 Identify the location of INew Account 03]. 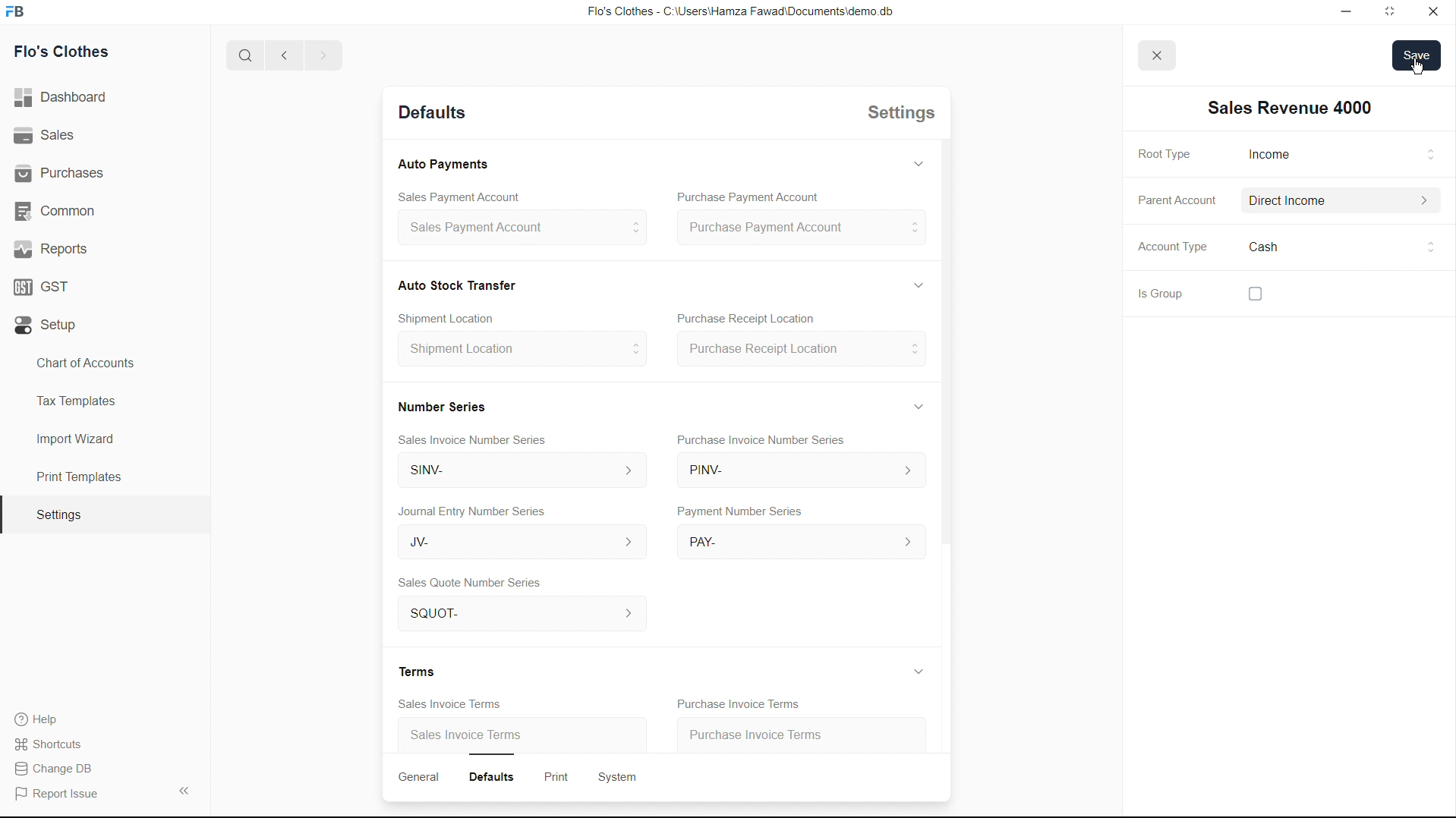
(1291, 108).